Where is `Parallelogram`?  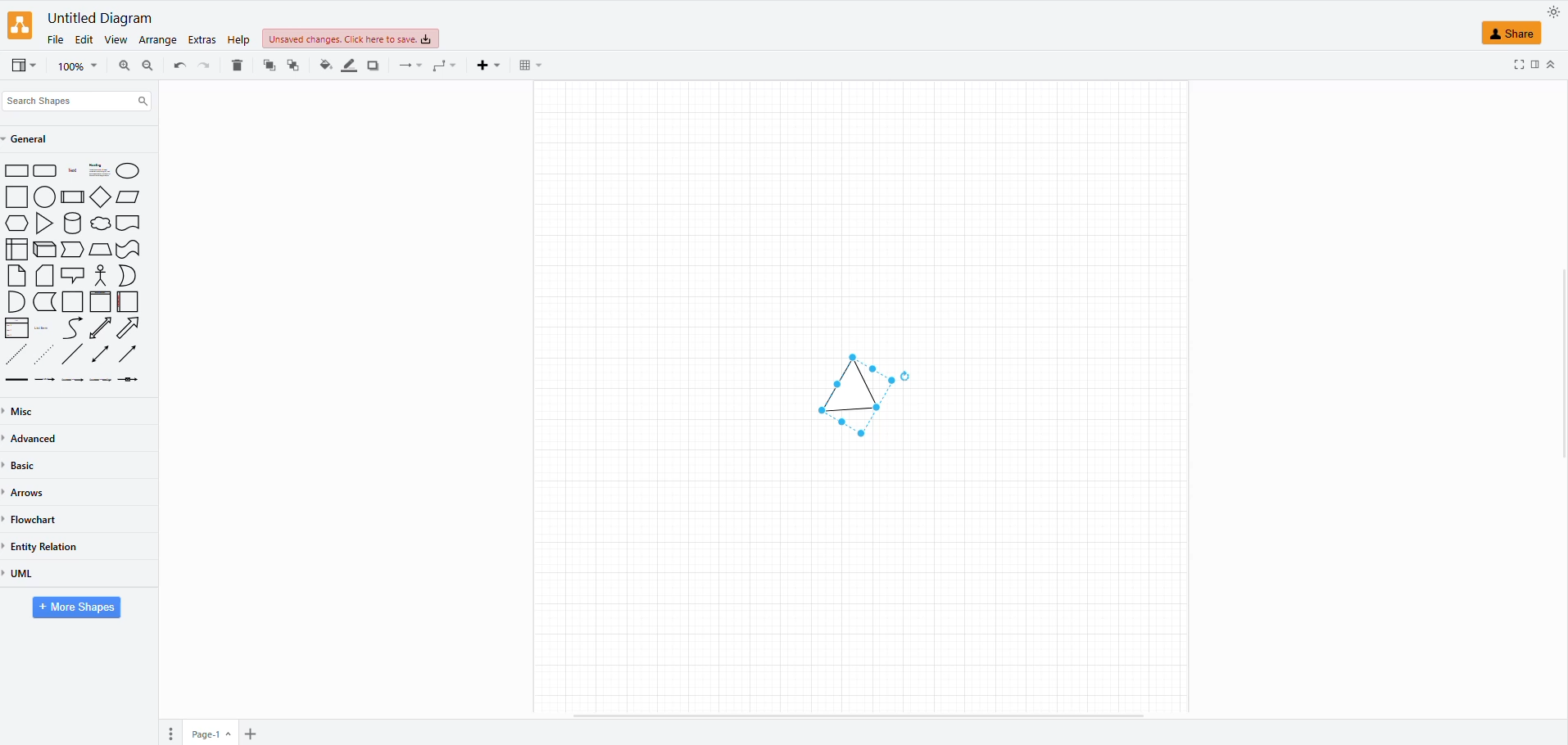 Parallelogram is located at coordinates (130, 197).